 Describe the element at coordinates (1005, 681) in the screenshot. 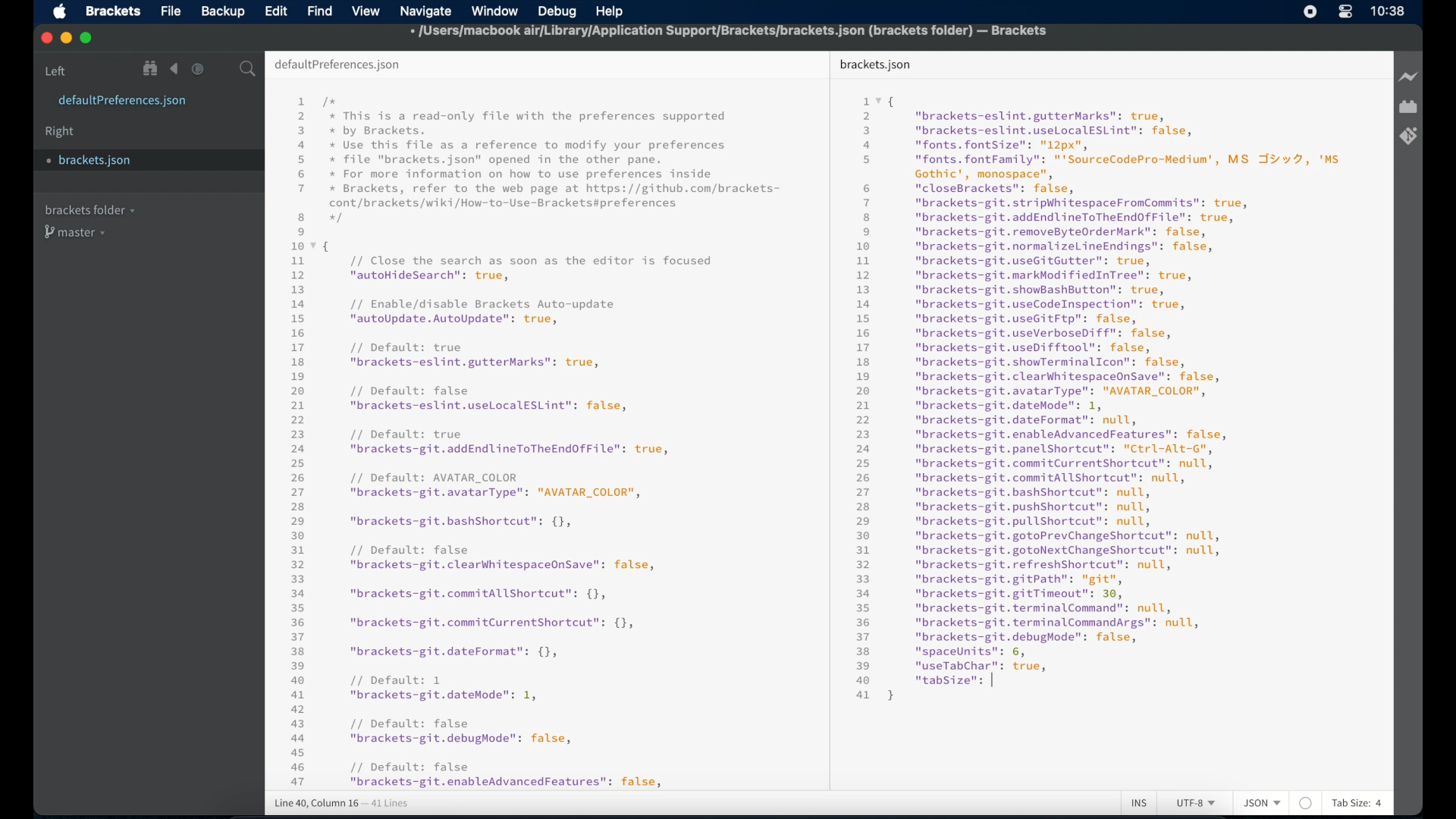

I see `I beam cursor` at that location.